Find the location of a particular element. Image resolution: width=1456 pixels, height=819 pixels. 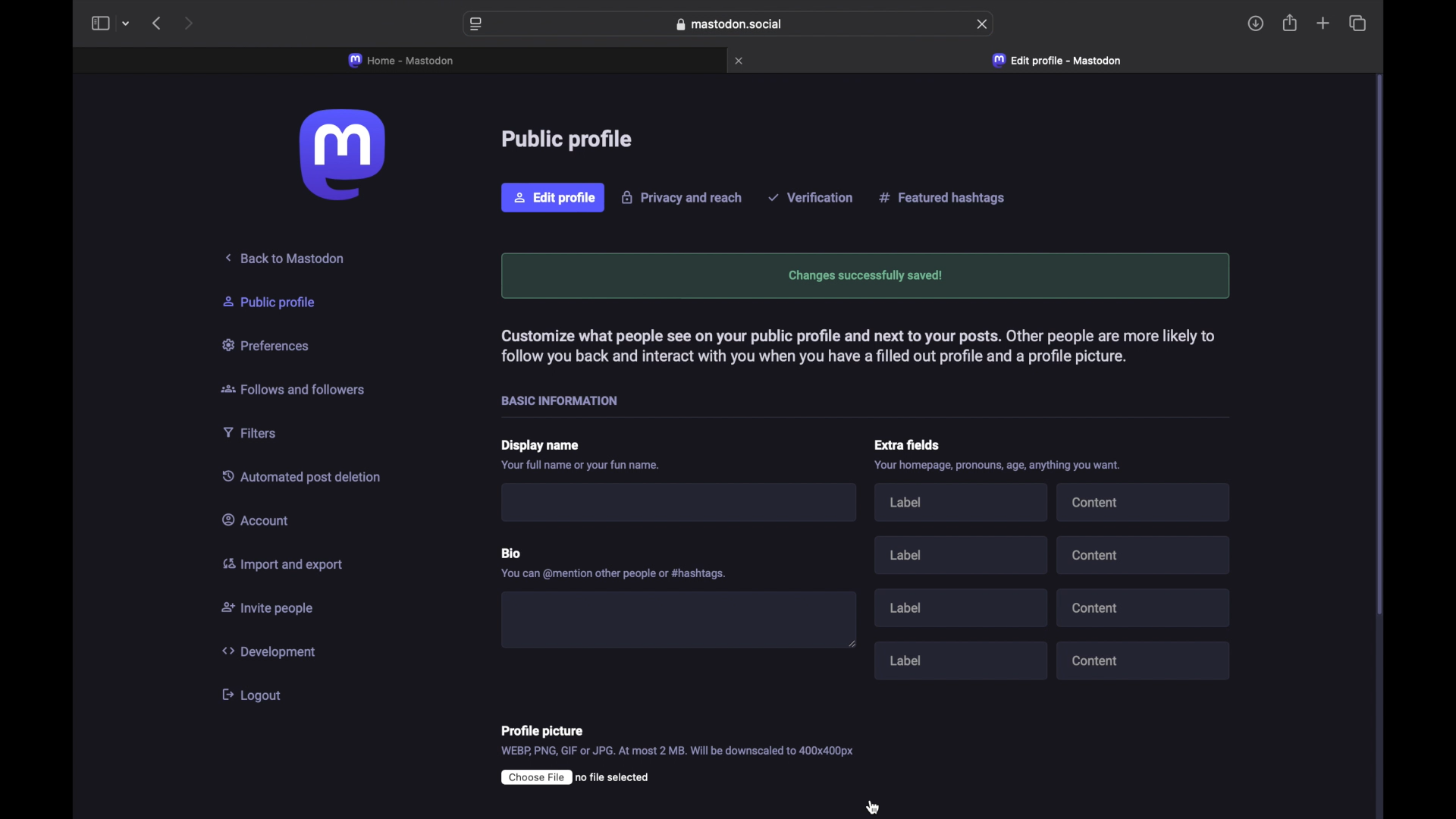

Customize what people see on your public profile and next to your posts. Other people are more likely tc
follow you back and interact with you when you have a filled out profile and a profile picture. is located at coordinates (850, 344).